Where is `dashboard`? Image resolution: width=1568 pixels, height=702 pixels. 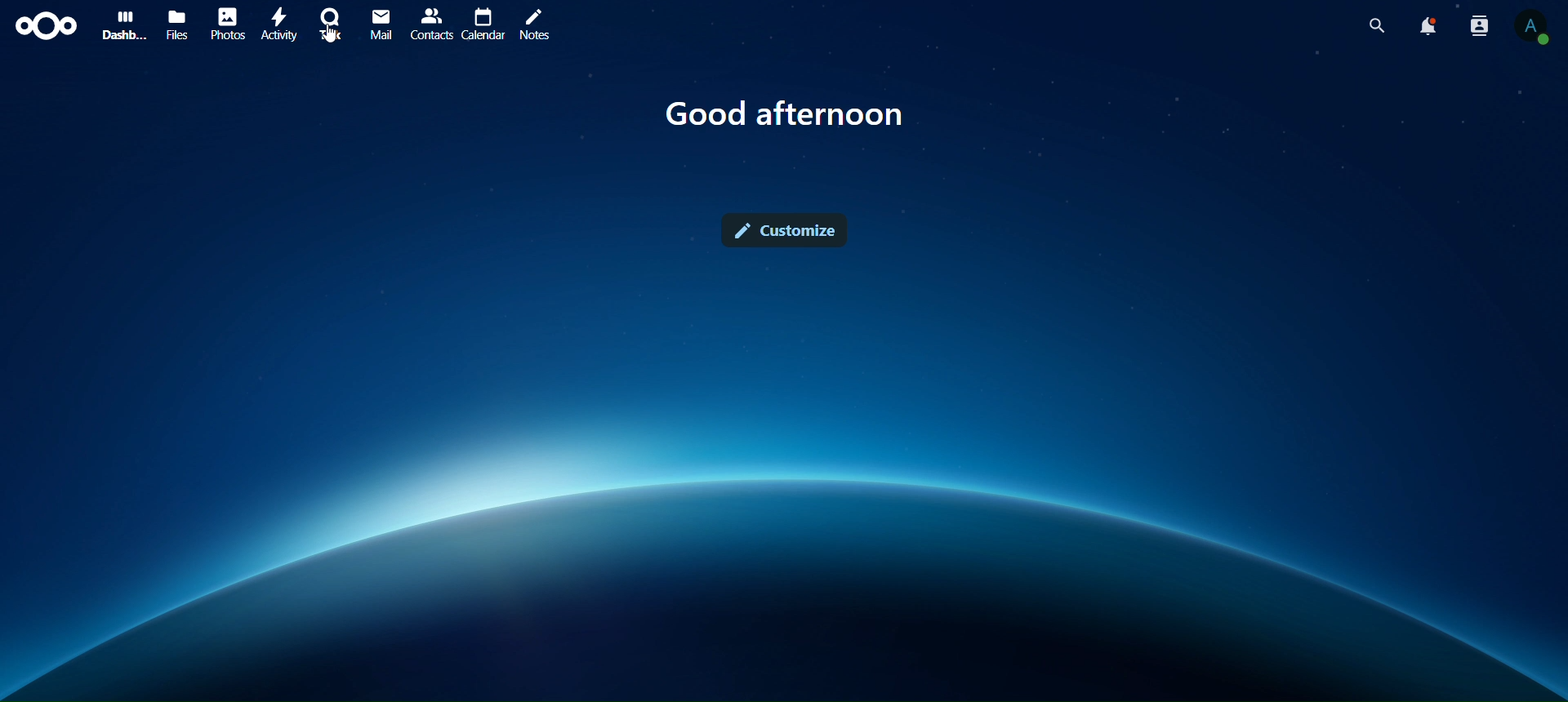
dashboard is located at coordinates (122, 25).